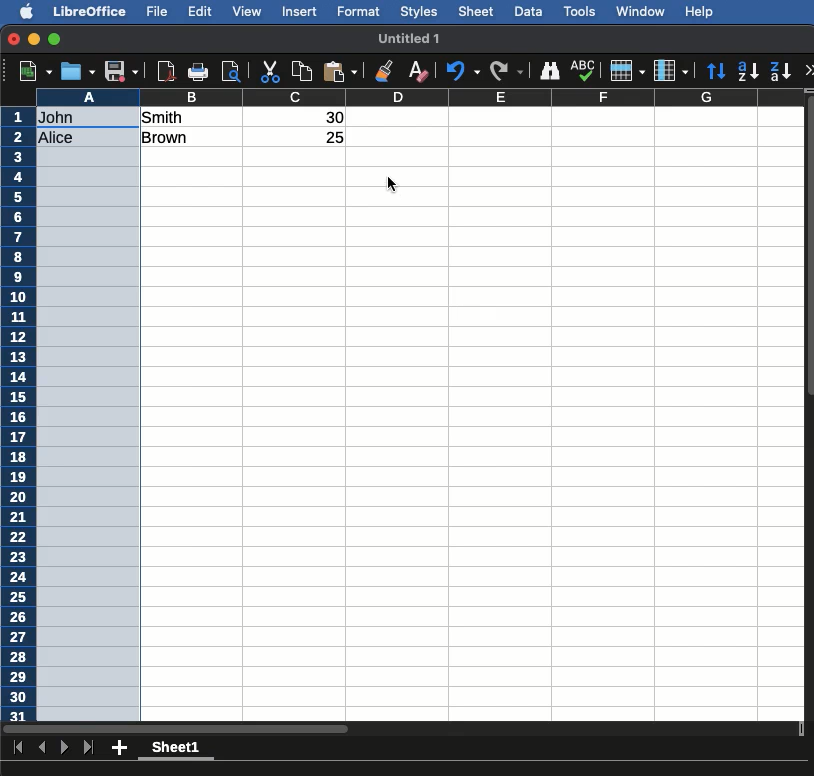  What do you see at coordinates (701, 11) in the screenshot?
I see `Help` at bounding box center [701, 11].